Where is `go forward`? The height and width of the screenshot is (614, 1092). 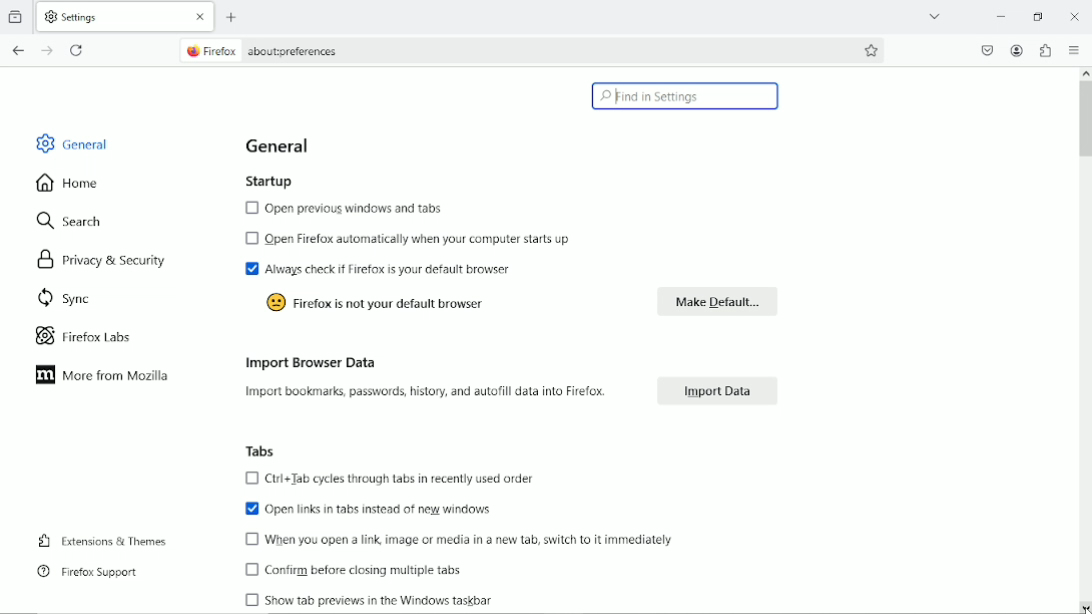 go forward is located at coordinates (45, 50).